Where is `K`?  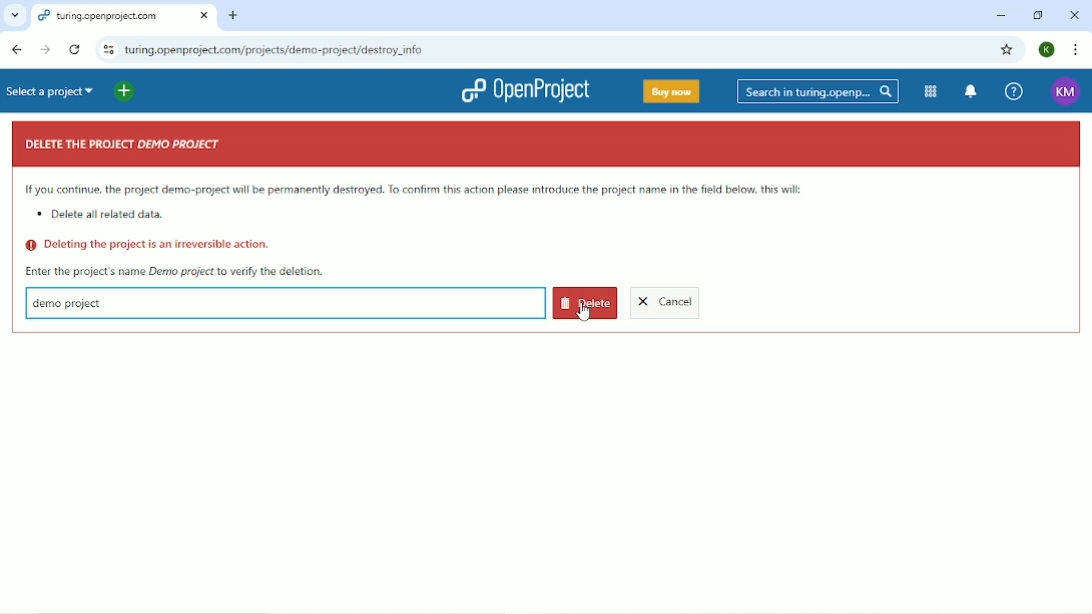 K is located at coordinates (1048, 50).